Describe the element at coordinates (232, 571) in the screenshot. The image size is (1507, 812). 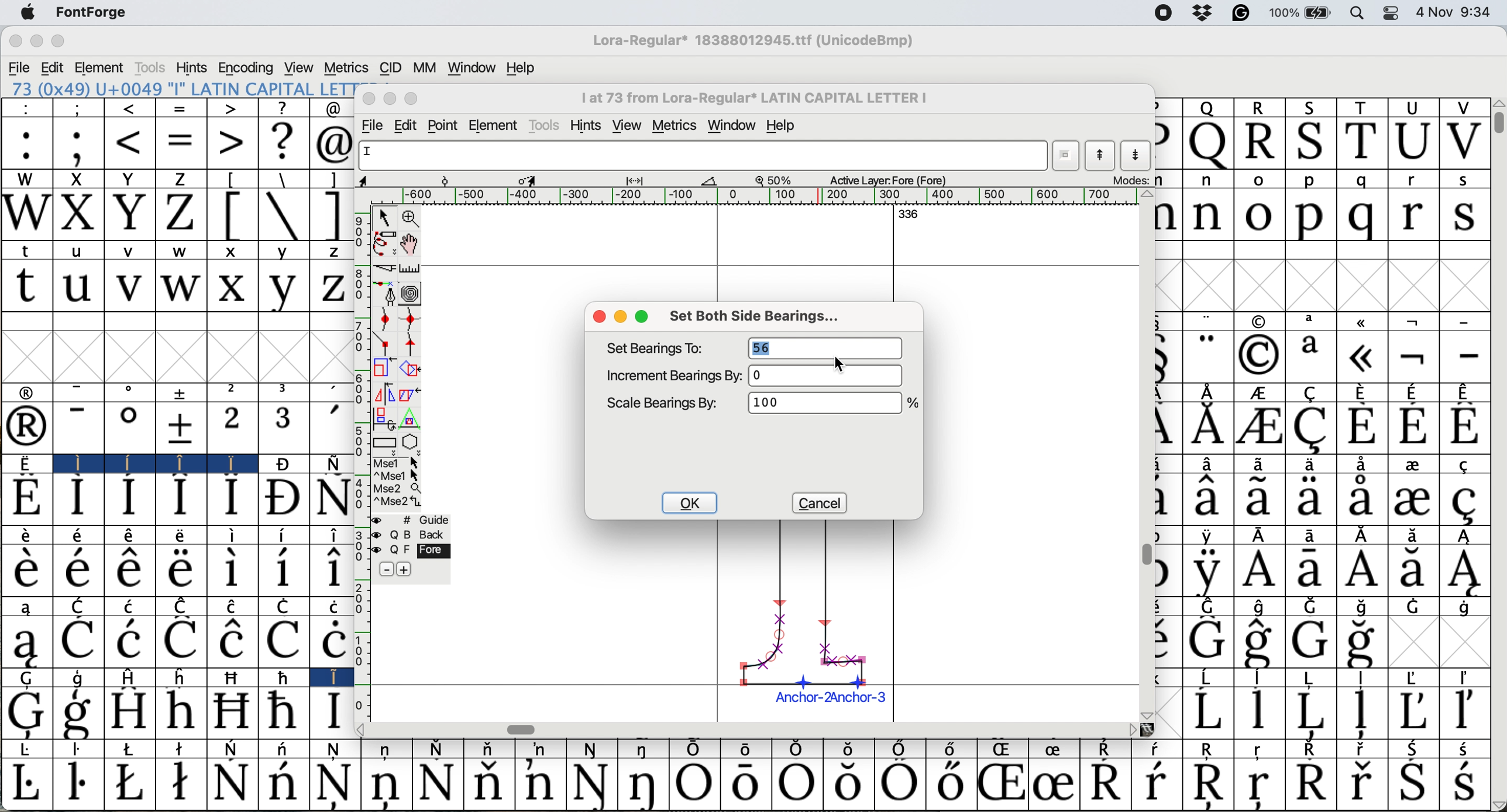
I see `Symbol` at that location.